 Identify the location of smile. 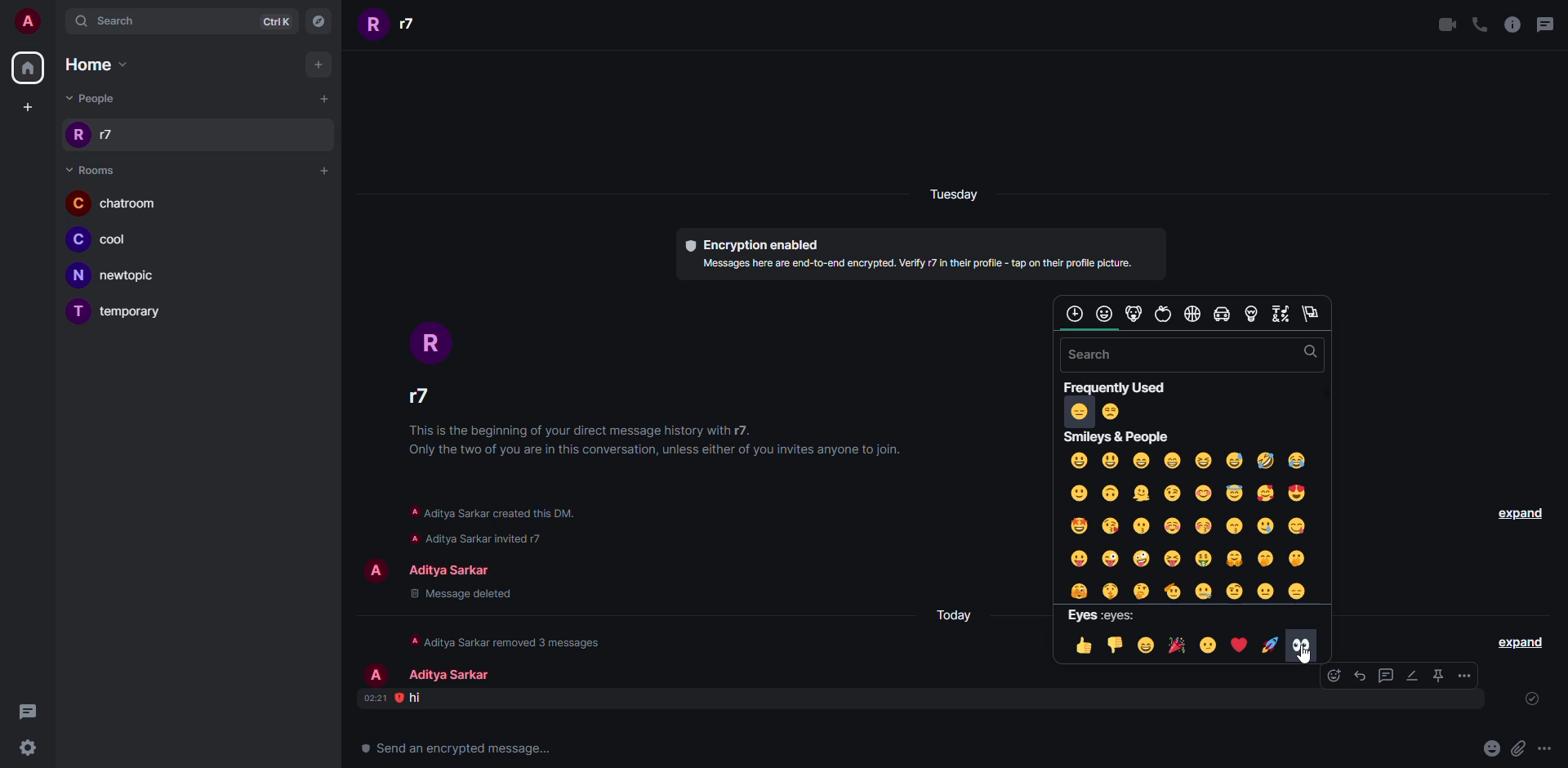
(1176, 645).